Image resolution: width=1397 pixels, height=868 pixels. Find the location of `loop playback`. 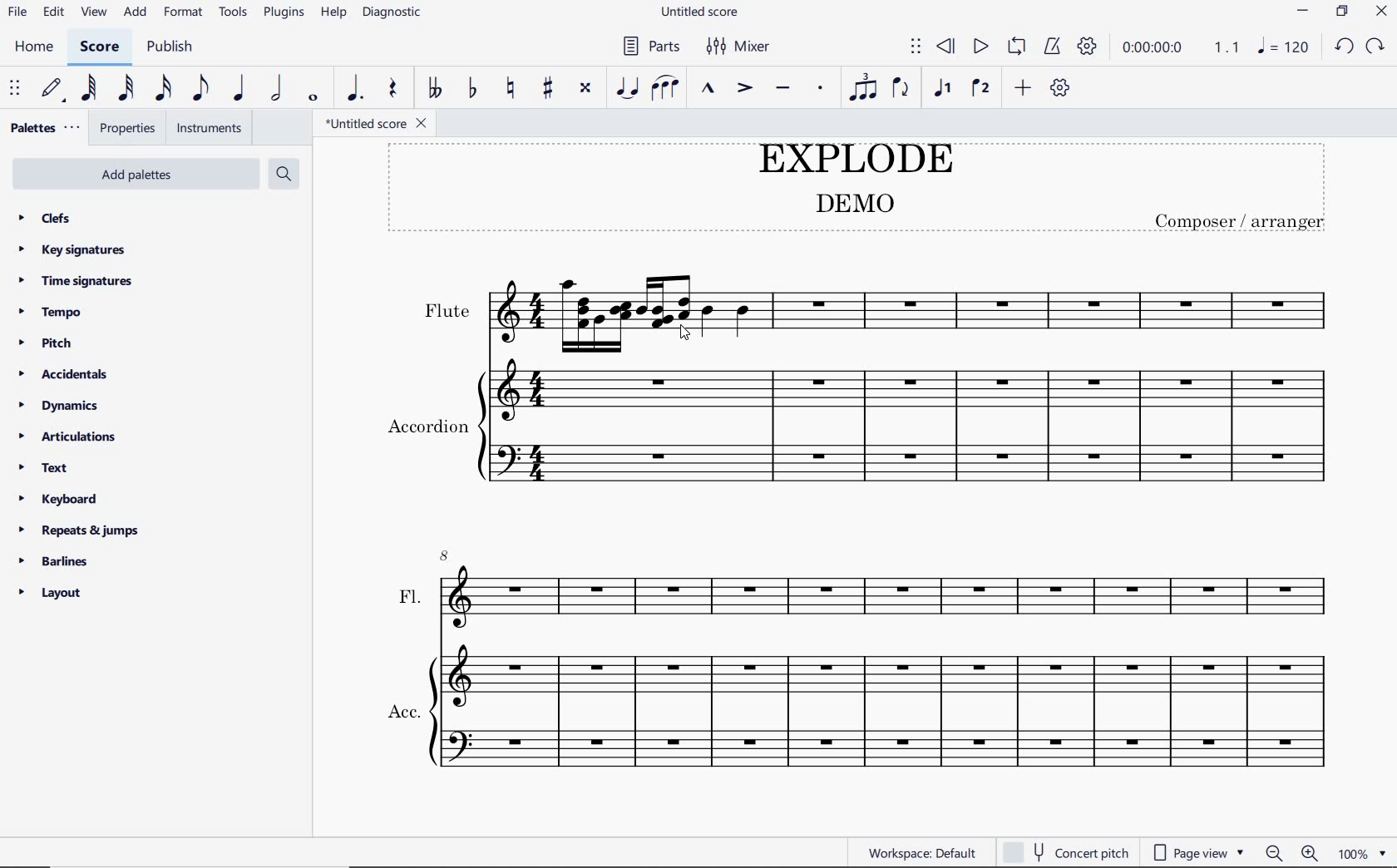

loop playback is located at coordinates (1016, 48).